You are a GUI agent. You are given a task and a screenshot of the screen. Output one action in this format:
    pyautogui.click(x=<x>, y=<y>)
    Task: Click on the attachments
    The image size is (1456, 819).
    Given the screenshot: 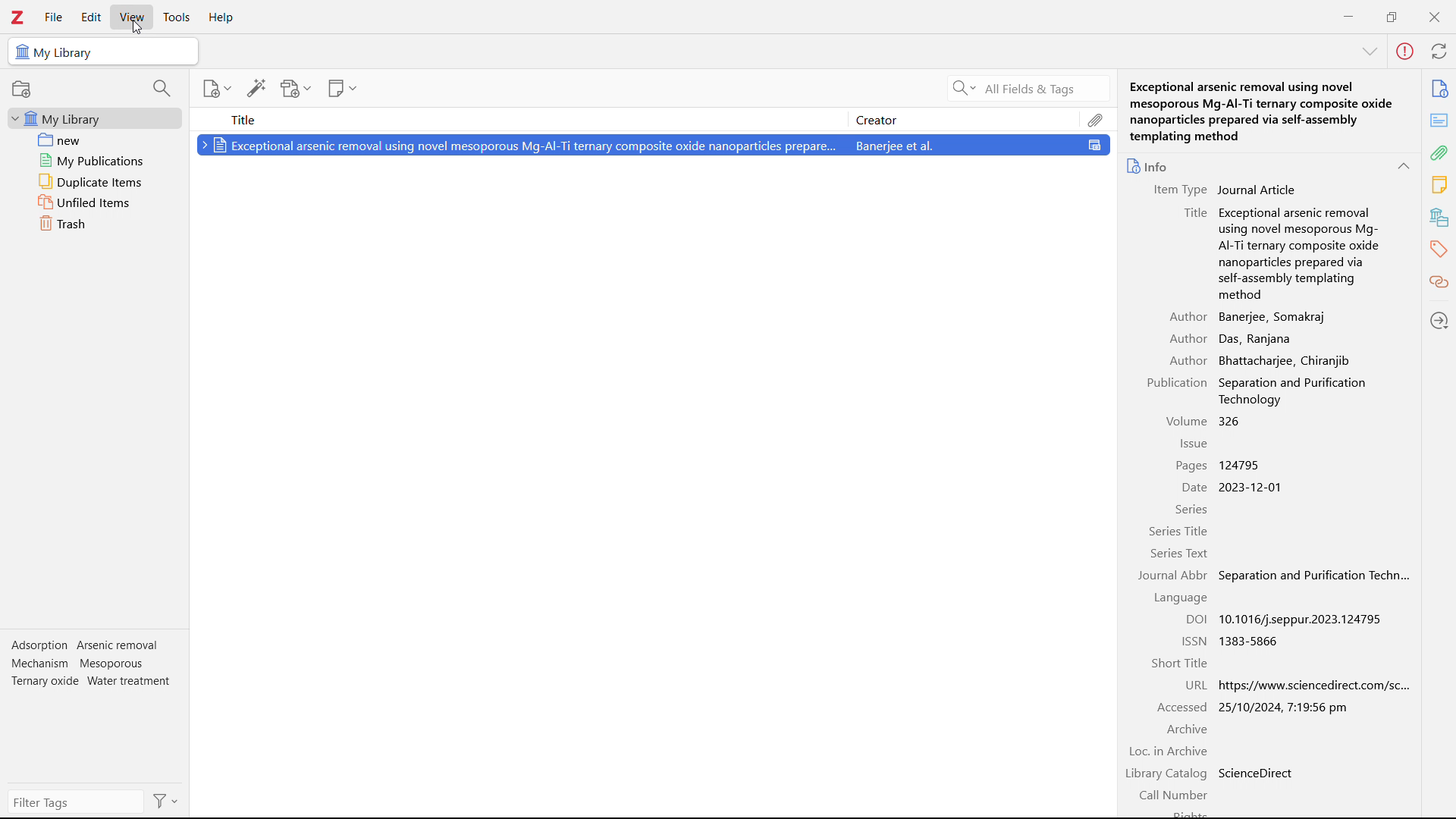 What is the action you would take?
    pyautogui.click(x=1097, y=118)
    